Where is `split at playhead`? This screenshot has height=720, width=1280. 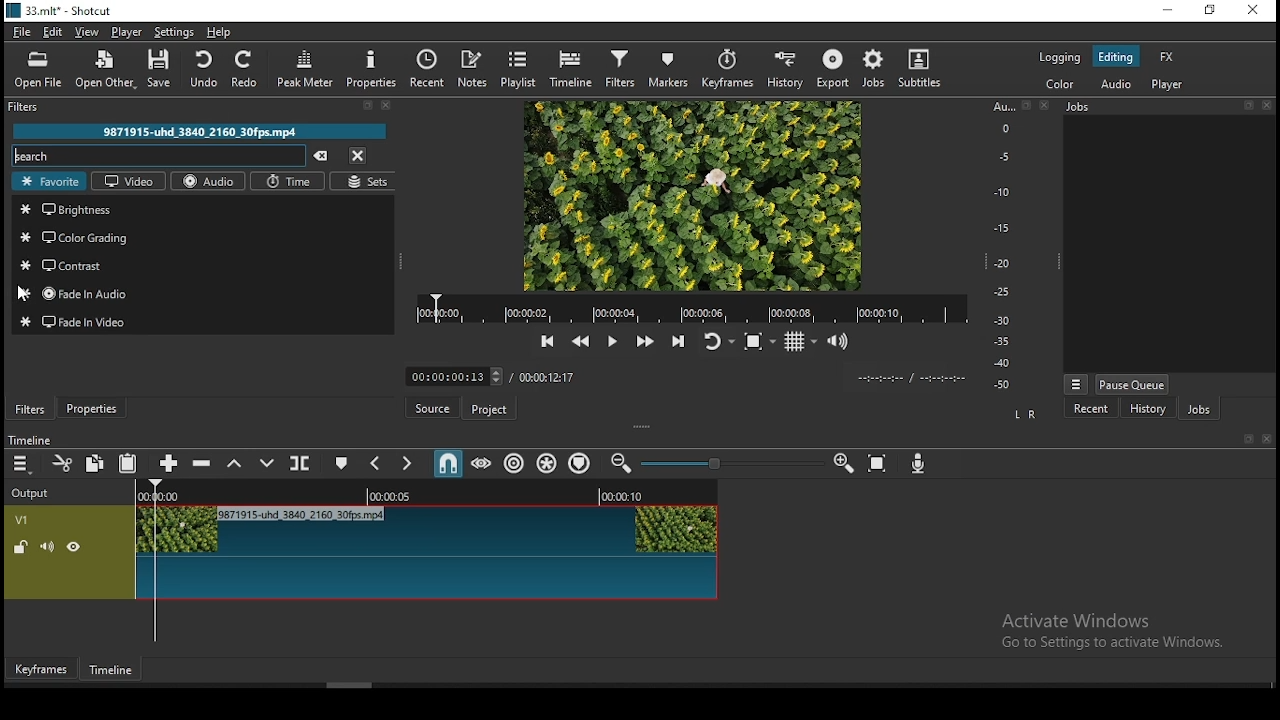 split at playhead is located at coordinates (303, 462).